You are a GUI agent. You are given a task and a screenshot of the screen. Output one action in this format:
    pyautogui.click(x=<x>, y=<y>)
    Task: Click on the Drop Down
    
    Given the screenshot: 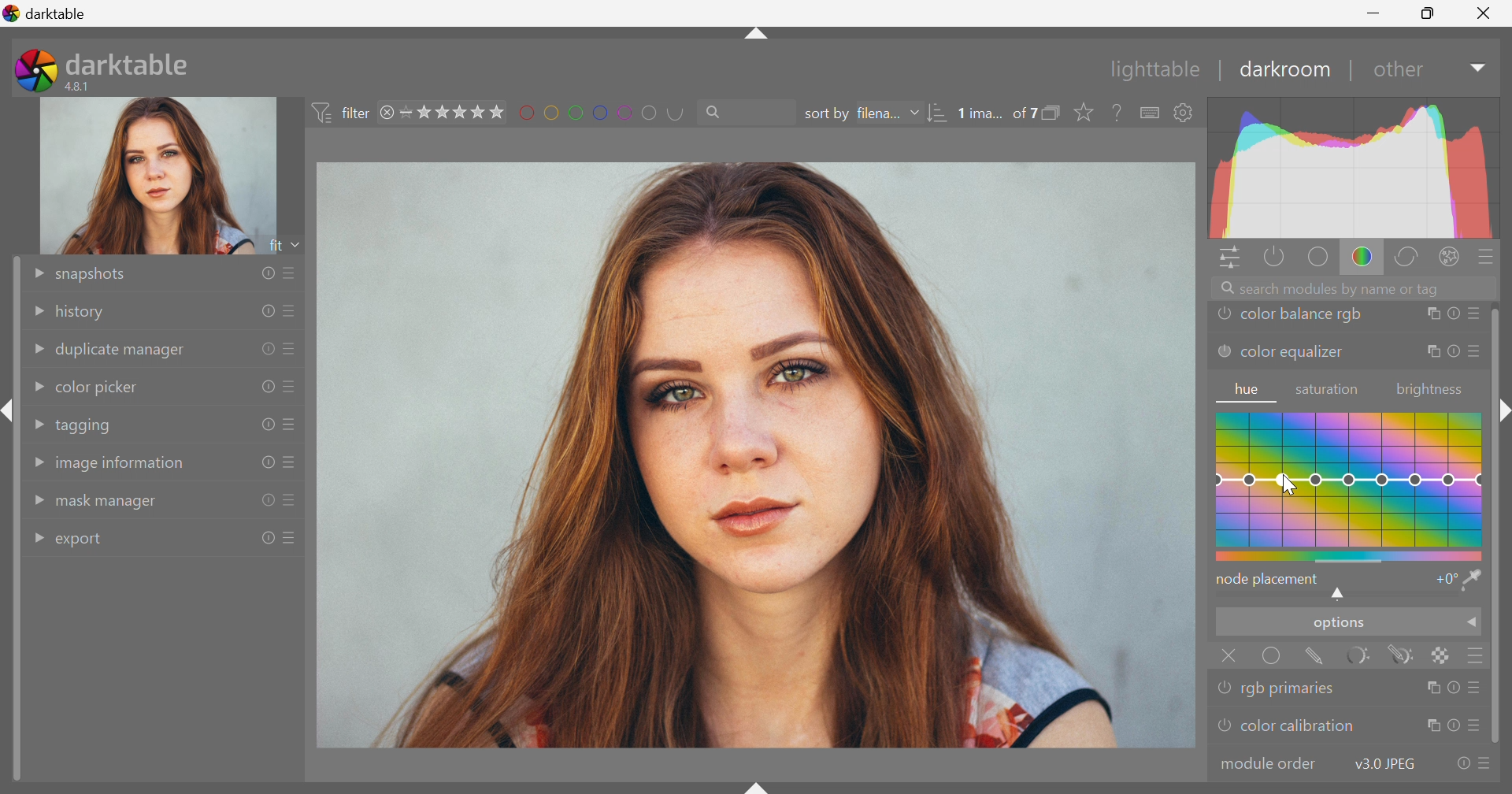 What is the action you would take?
    pyautogui.click(x=37, y=501)
    